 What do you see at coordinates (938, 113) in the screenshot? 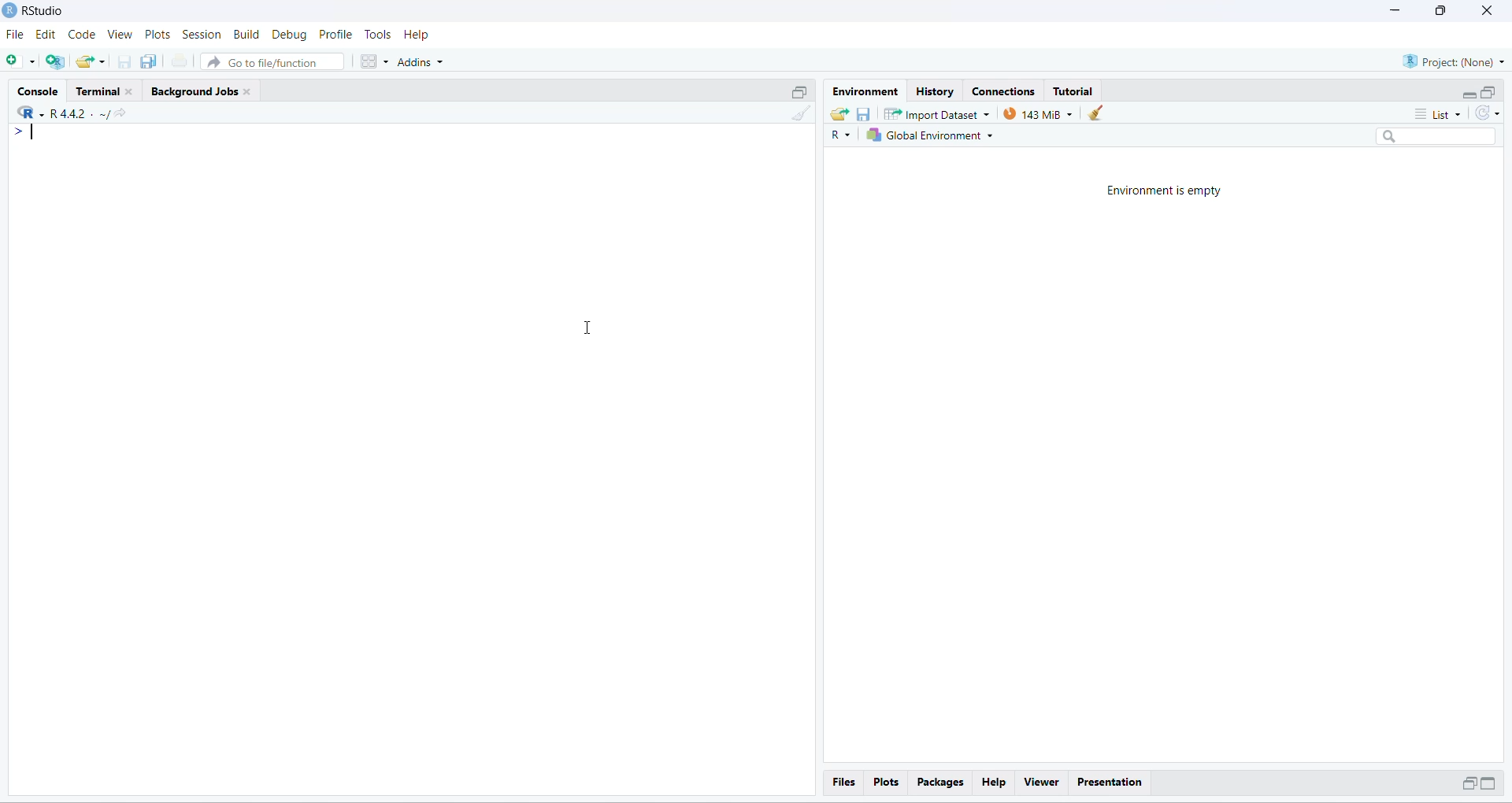
I see `import datasets` at bounding box center [938, 113].